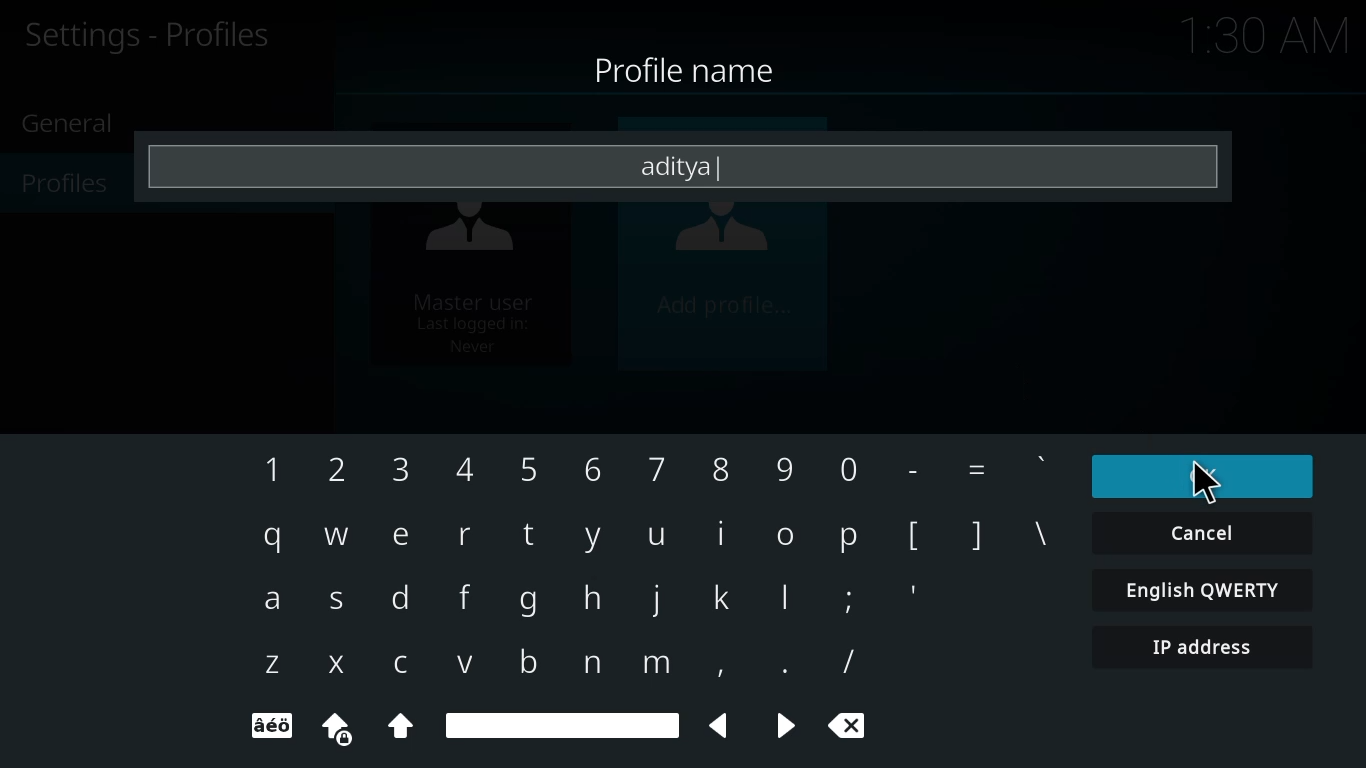  Describe the element at coordinates (78, 125) in the screenshot. I see `general` at that location.